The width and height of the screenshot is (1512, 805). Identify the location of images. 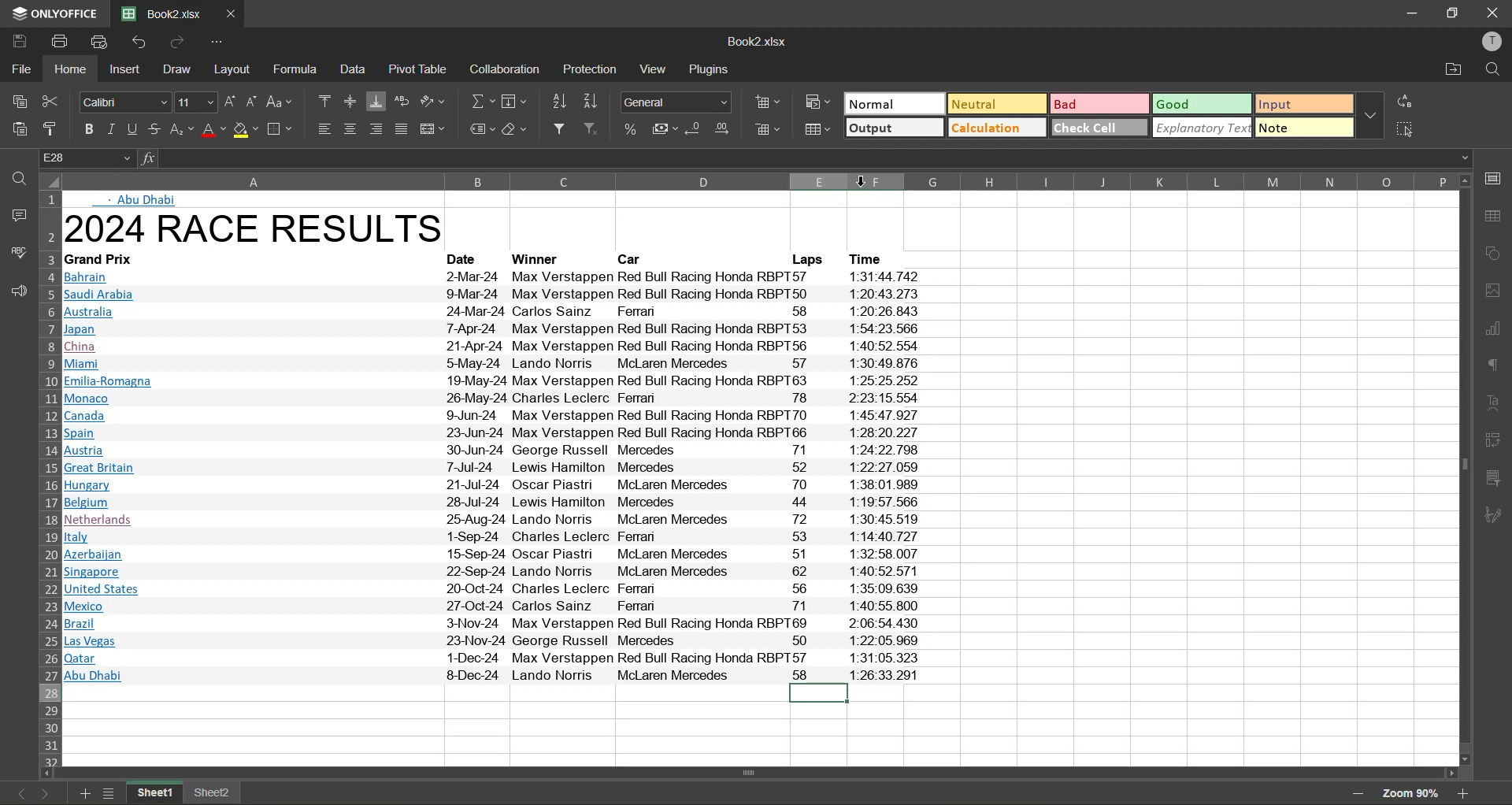
(1497, 290).